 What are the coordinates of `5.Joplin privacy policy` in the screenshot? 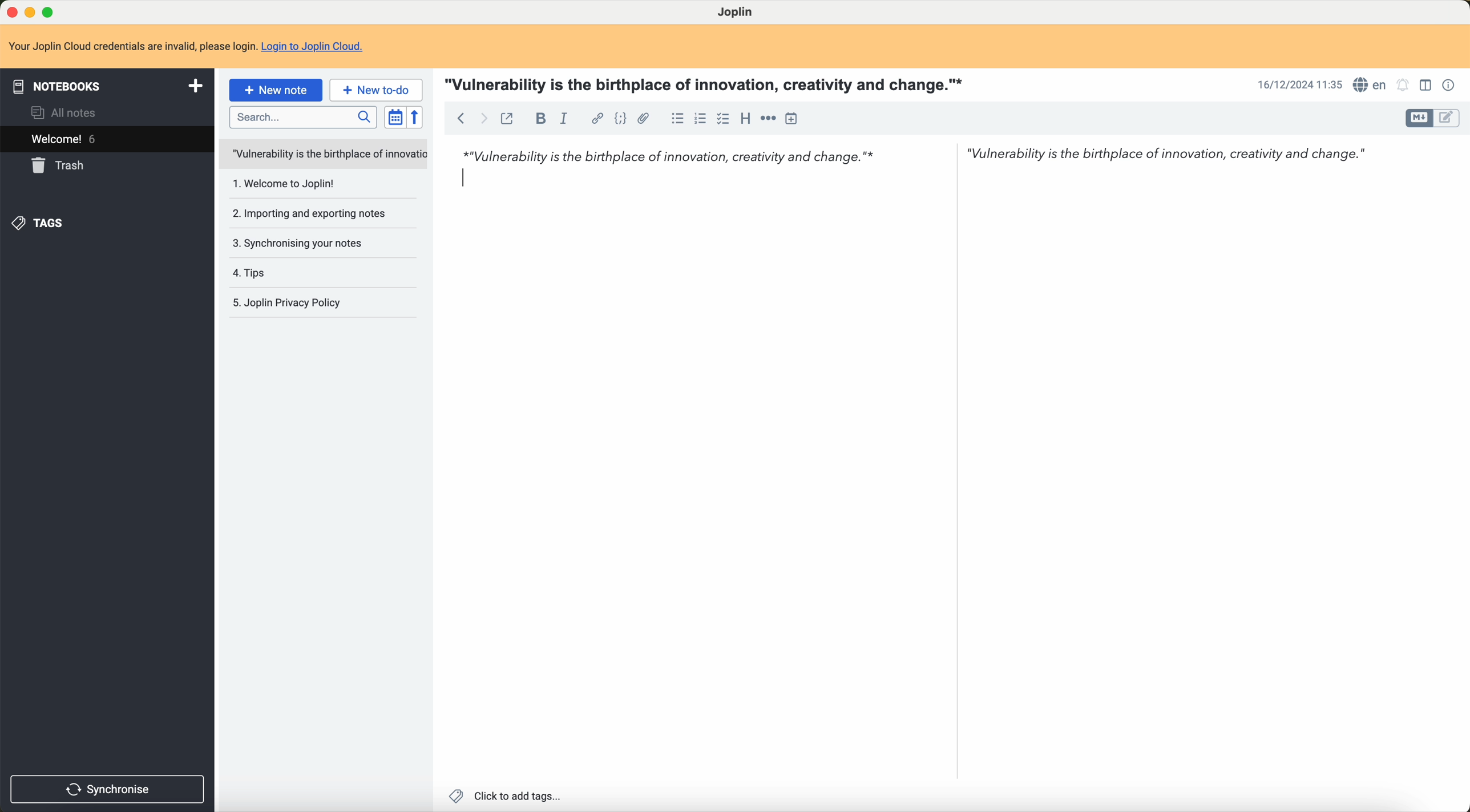 It's located at (293, 302).